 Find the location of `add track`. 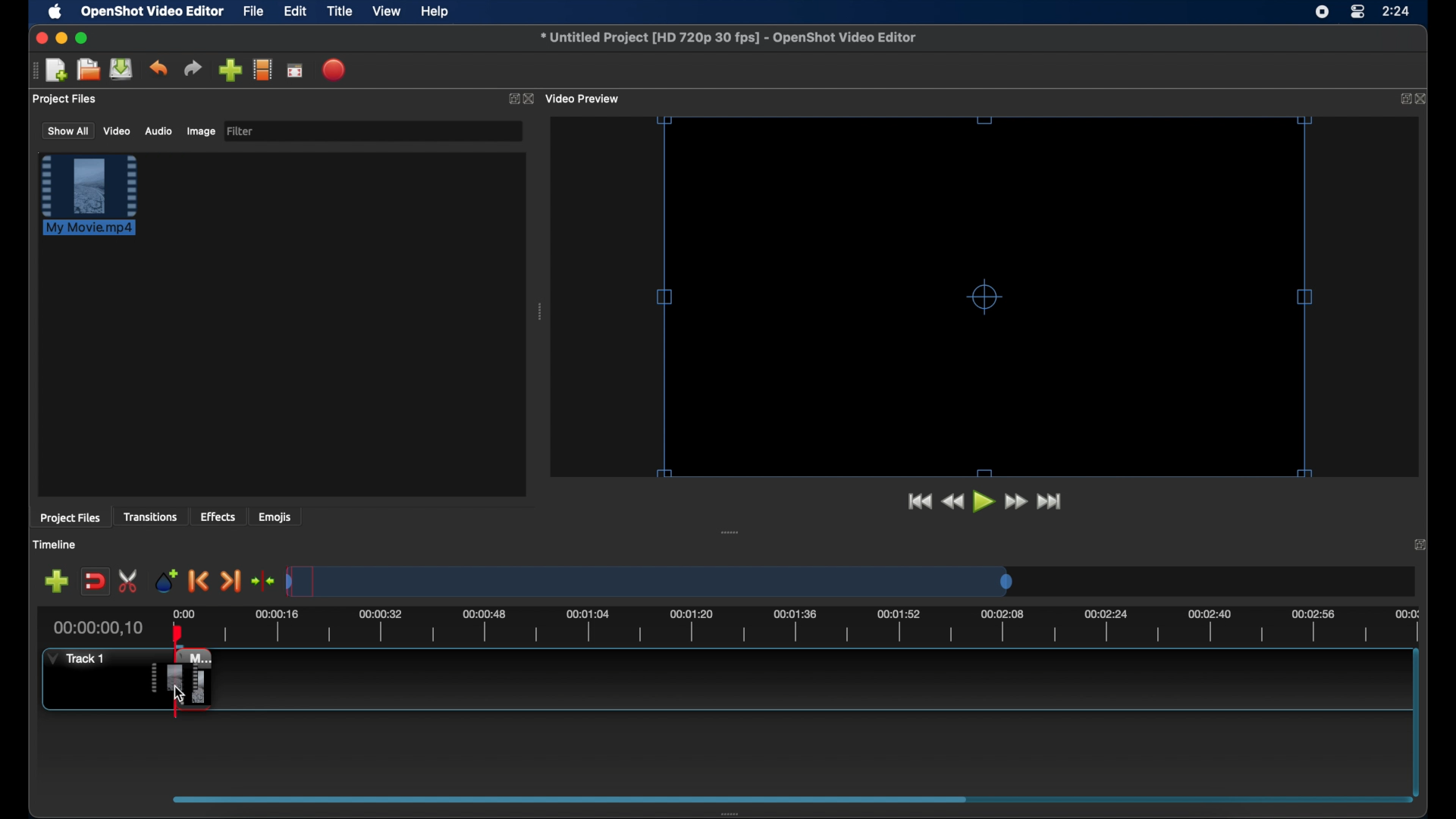

add track is located at coordinates (56, 581).